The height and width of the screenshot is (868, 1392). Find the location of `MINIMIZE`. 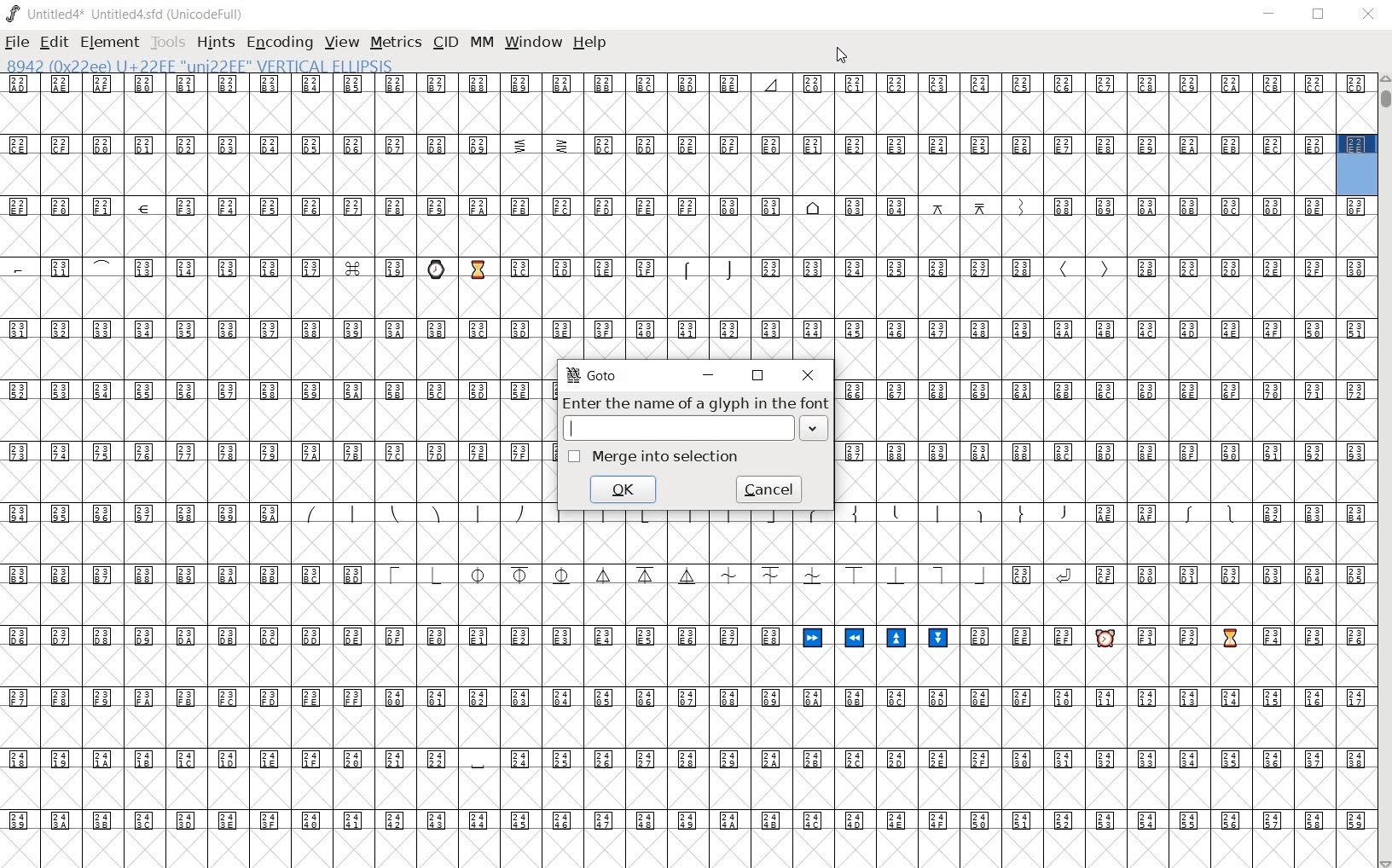

MINIMIZE is located at coordinates (1272, 16).